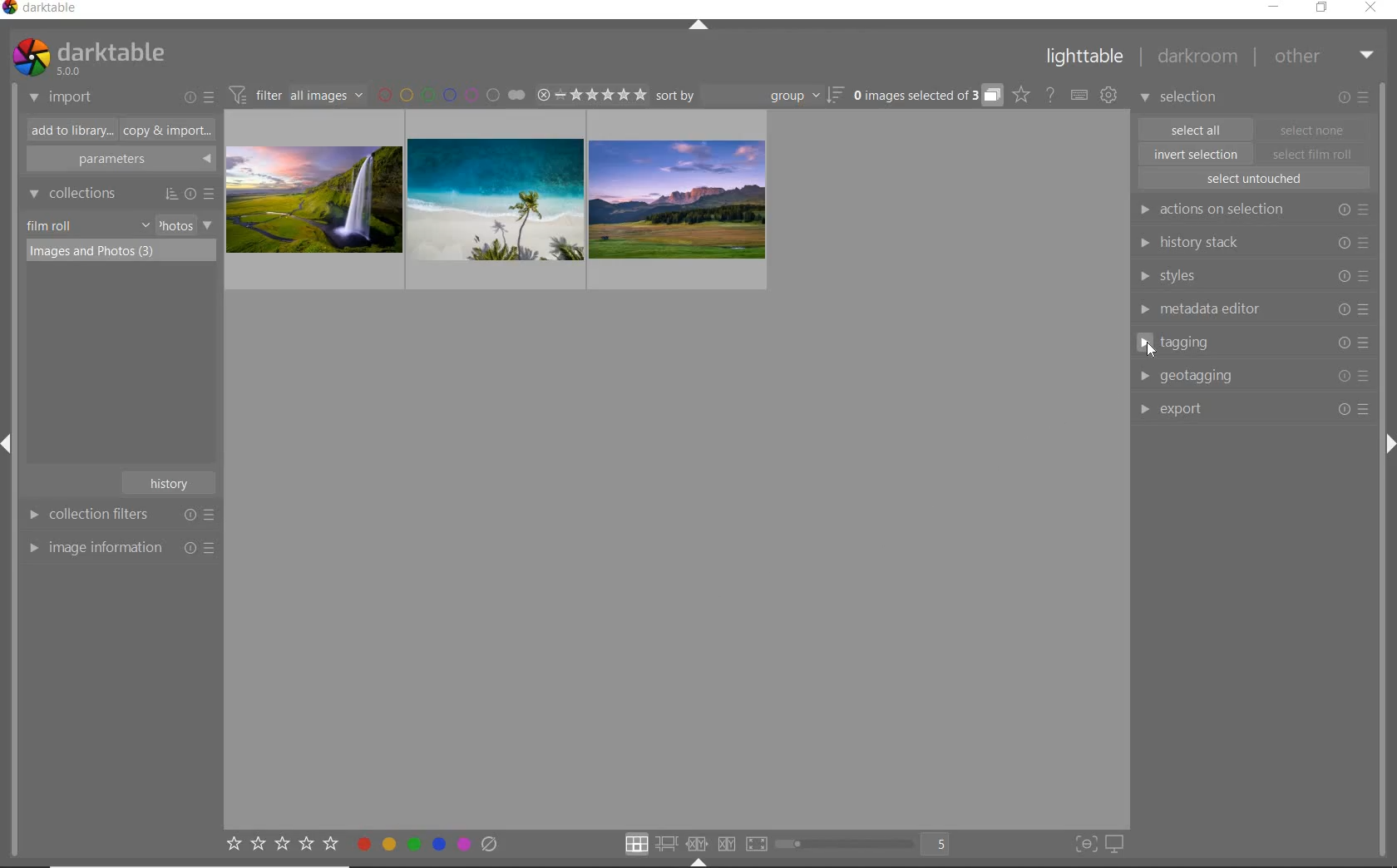 This screenshot has height=868, width=1397. Describe the element at coordinates (1255, 342) in the screenshot. I see `tagging` at that location.